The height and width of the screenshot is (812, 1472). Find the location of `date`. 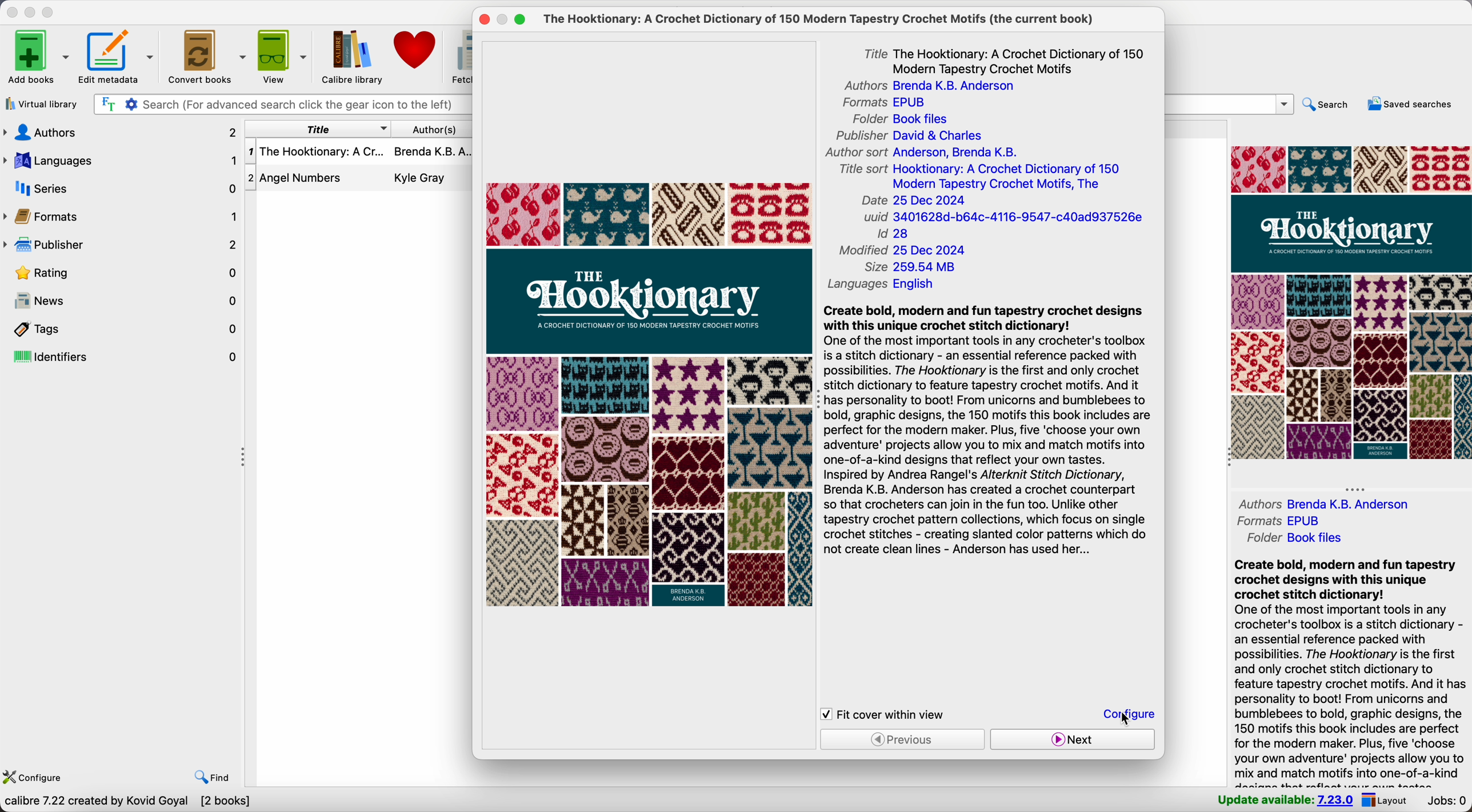

date is located at coordinates (914, 201).